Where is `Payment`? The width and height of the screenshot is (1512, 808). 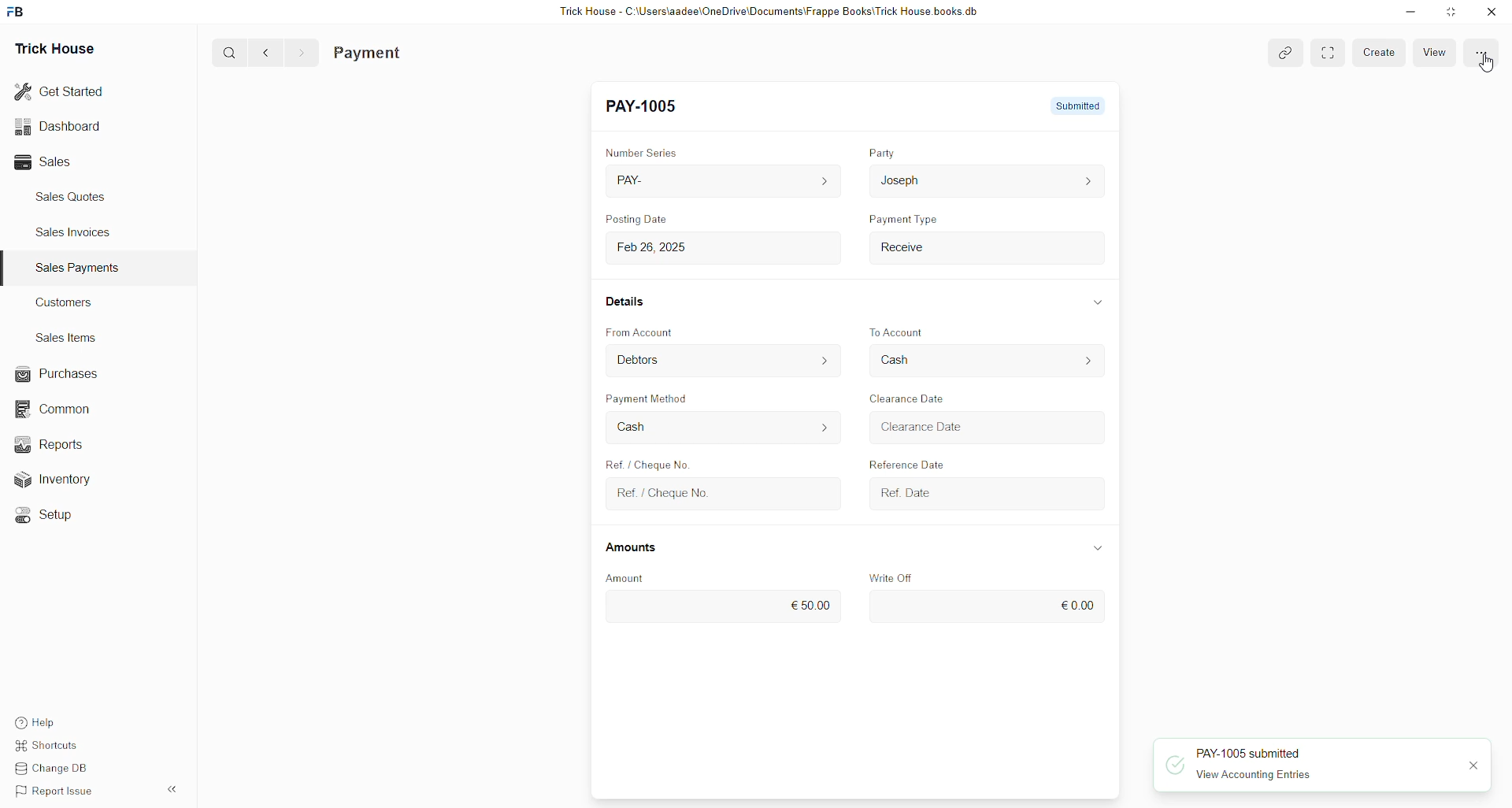 Payment is located at coordinates (368, 54).